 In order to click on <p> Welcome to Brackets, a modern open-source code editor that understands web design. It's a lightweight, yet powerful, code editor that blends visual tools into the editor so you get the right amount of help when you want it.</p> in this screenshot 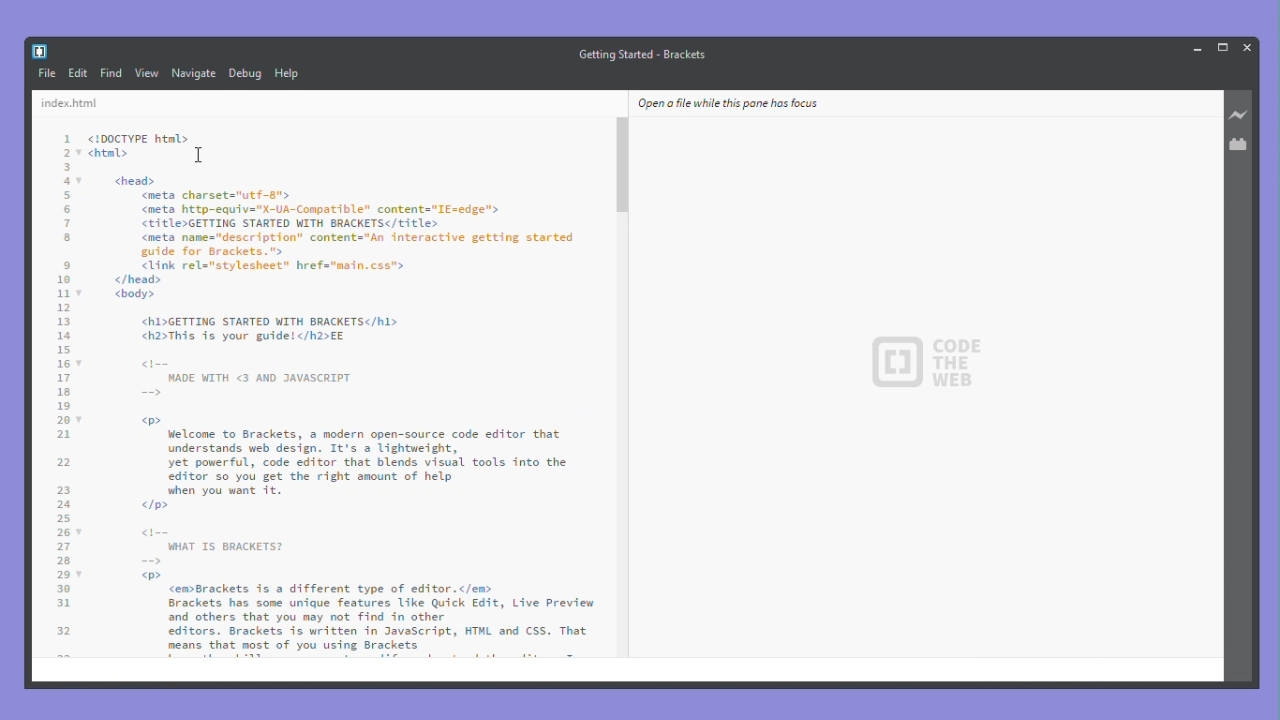, I will do `click(354, 461)`.